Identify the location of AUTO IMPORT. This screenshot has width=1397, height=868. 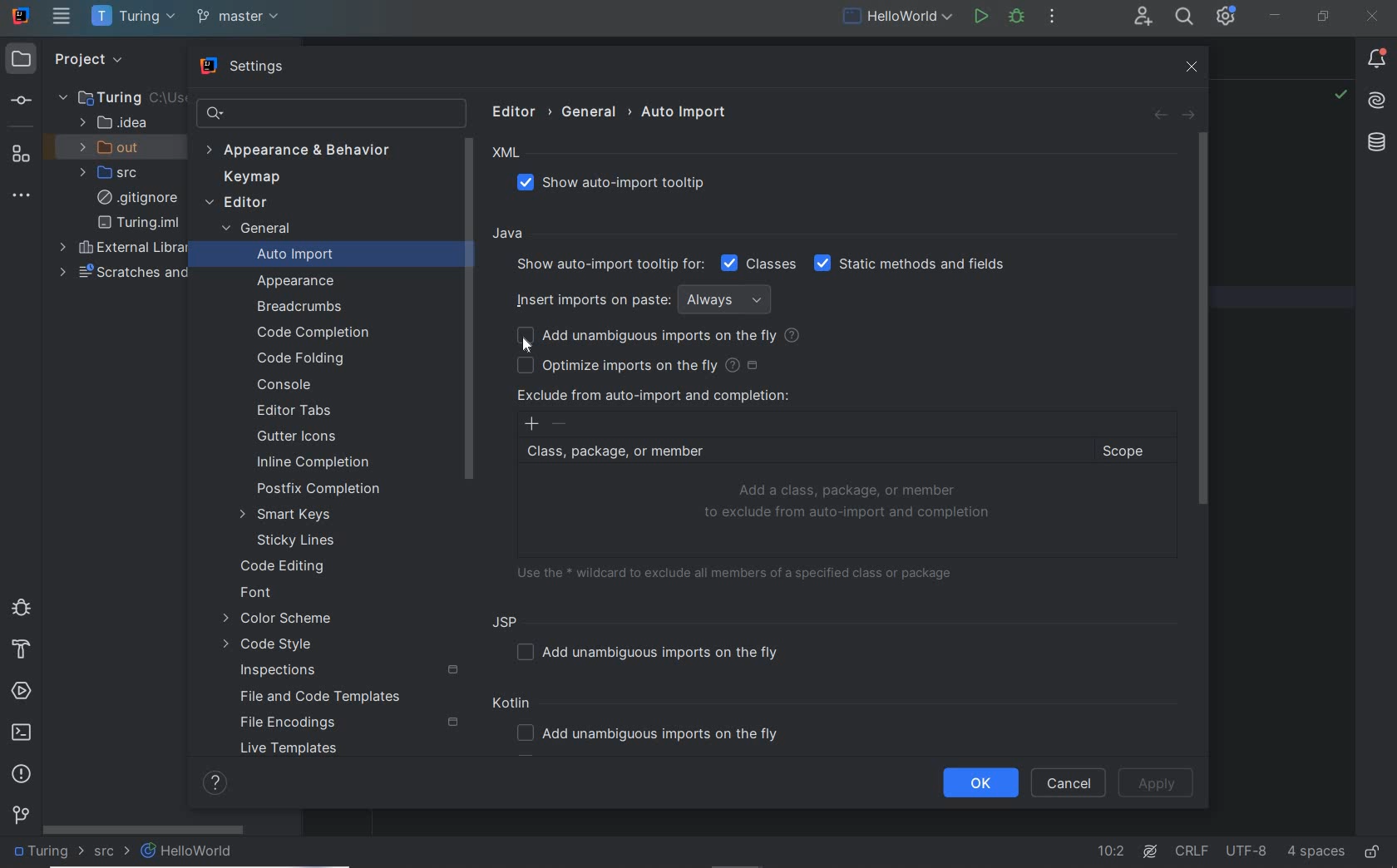
(284, 257).